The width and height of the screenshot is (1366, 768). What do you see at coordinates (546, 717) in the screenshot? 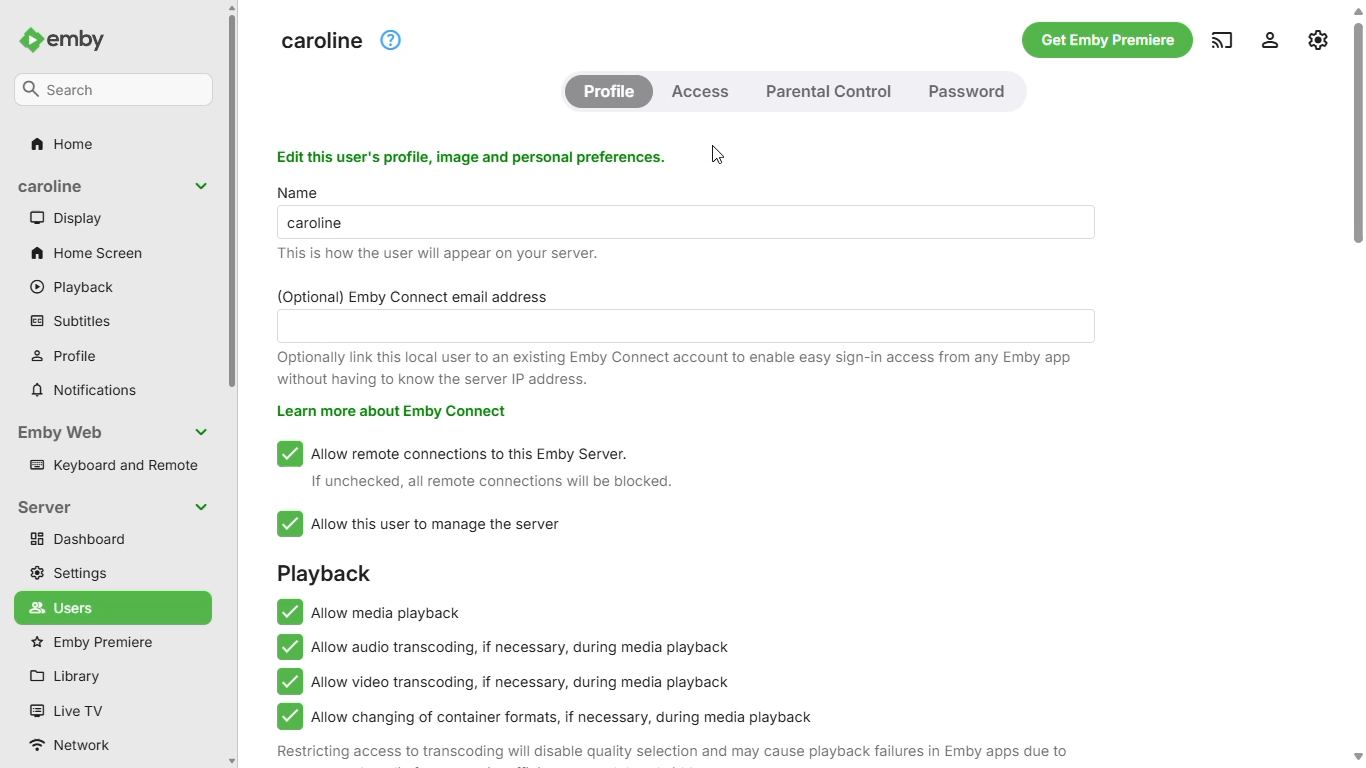
I see `allow changing of container formats, if necessary, during media playback` at bounding box center [546, 717].